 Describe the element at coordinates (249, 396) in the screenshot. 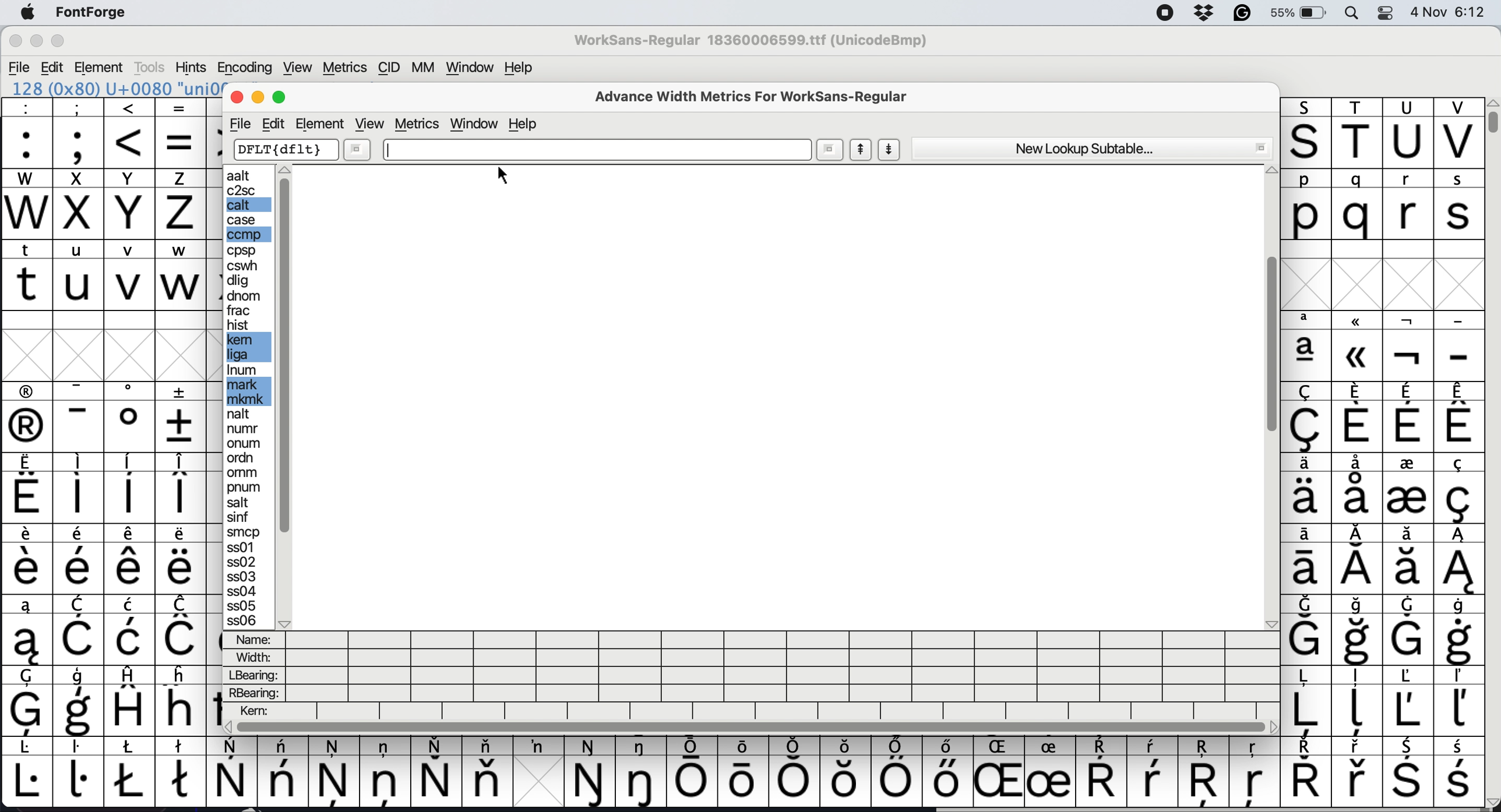

I see `edit options` at that location.